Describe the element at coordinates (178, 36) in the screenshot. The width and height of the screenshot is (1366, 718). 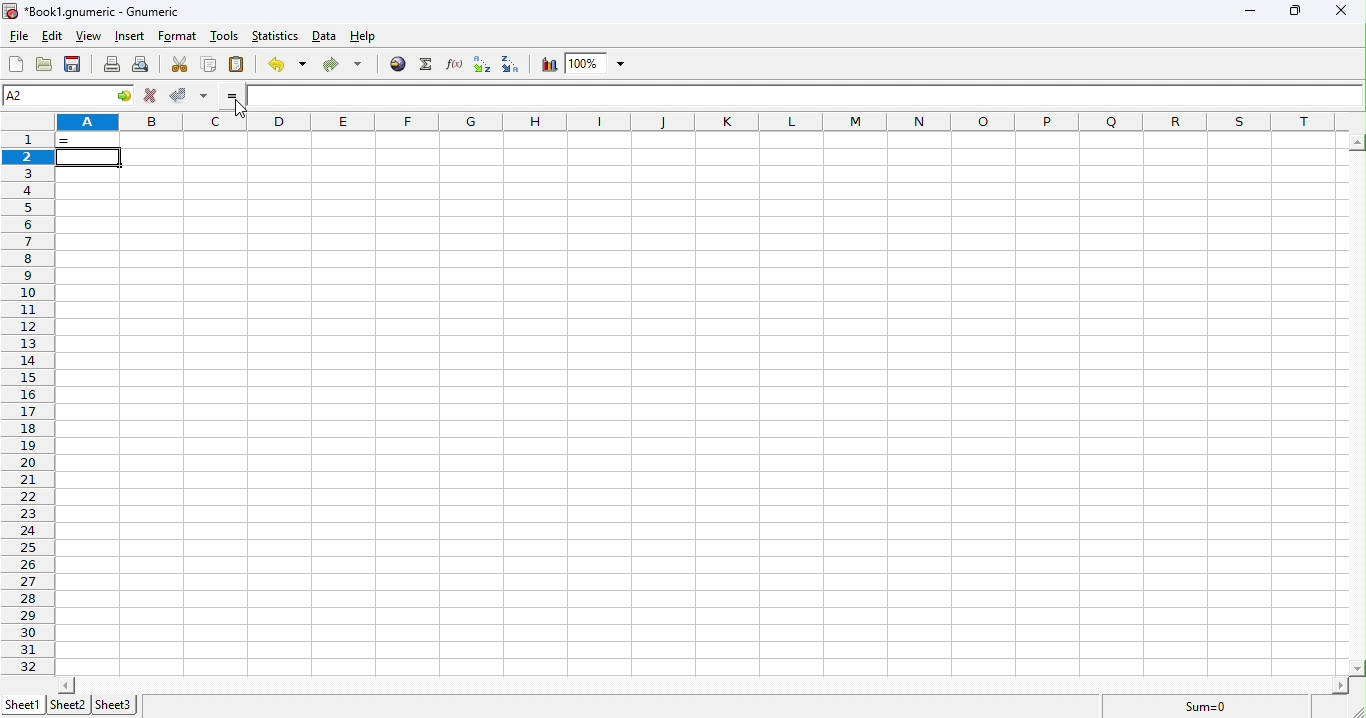
I see `format` at that location.